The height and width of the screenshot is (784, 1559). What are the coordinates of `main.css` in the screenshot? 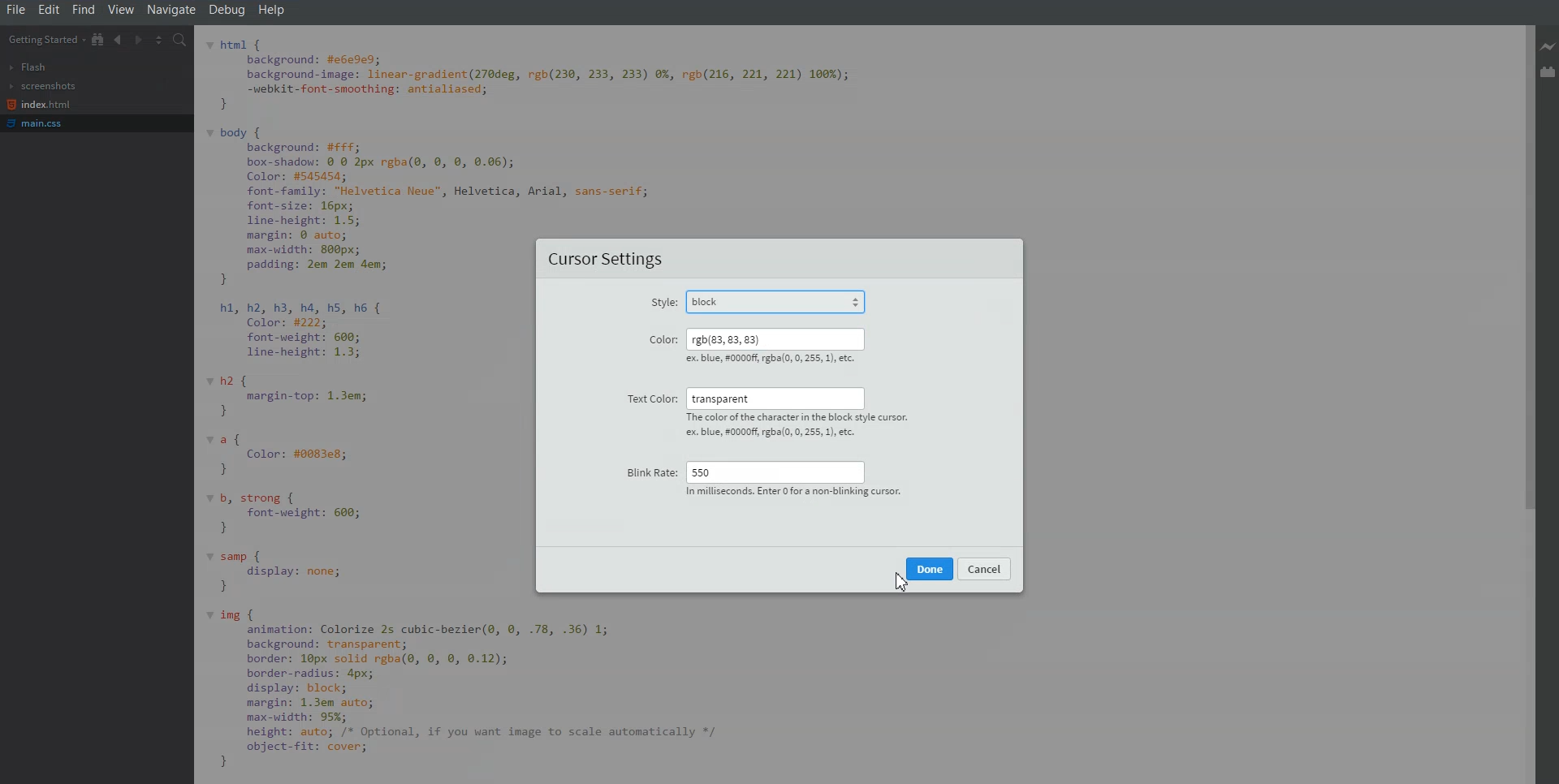 It's located at (40, 123).